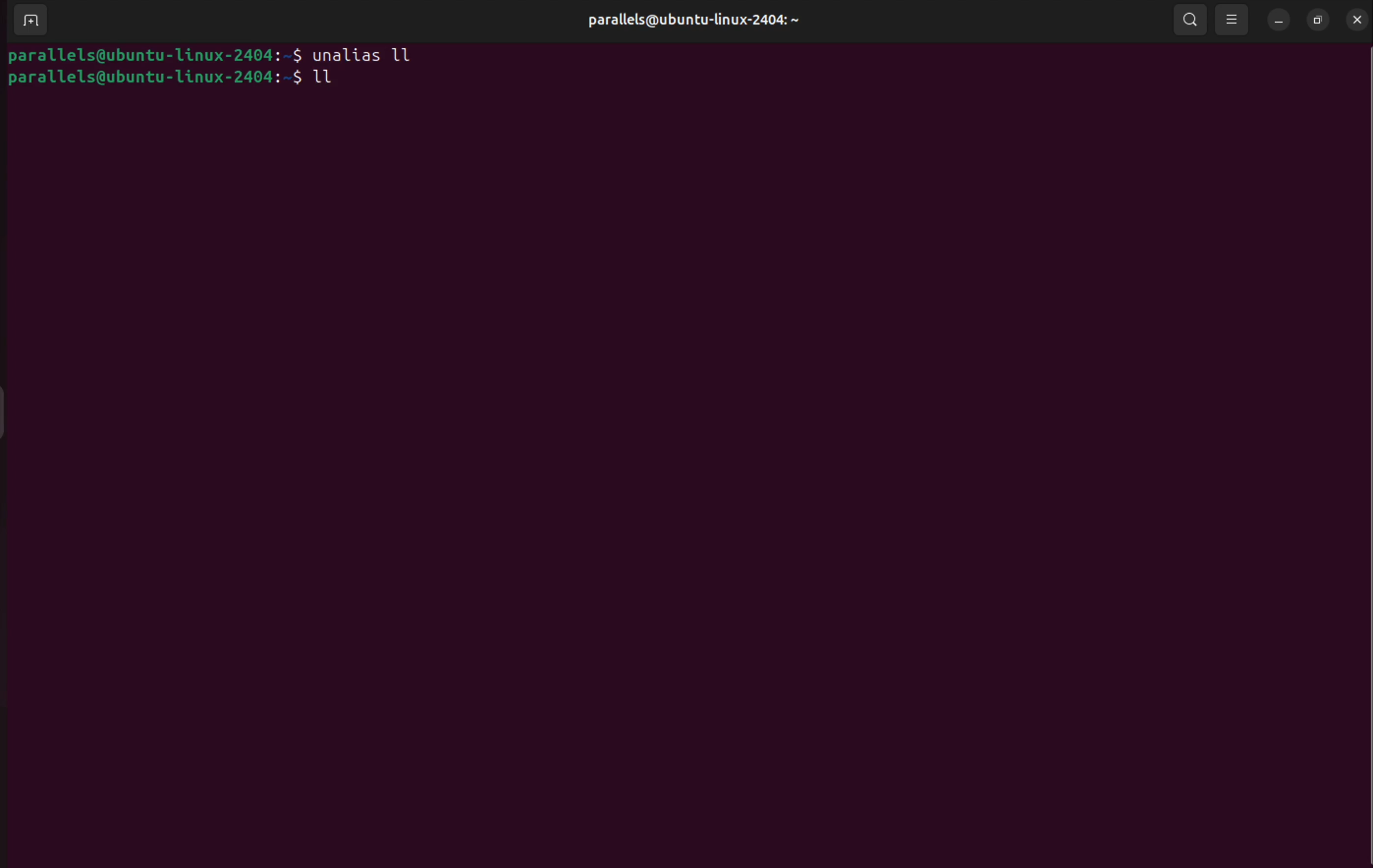 This screenshot has height=868, width=1373. What do you see at coordinates (323, 76) in the screenshot?
I see `ll` at bounding box center [323, 76].